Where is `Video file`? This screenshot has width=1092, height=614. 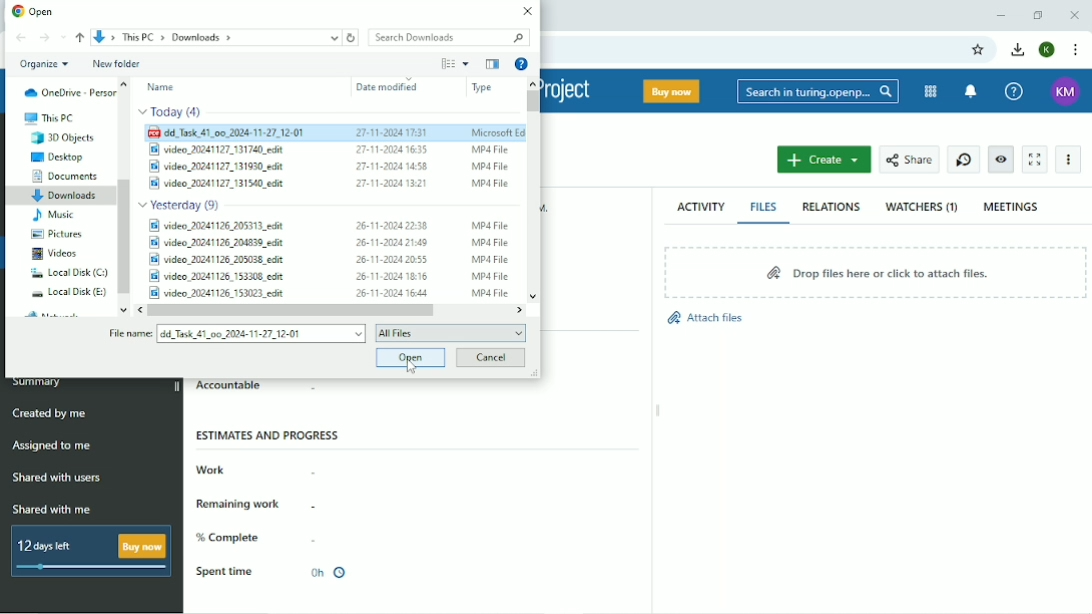 Video file is located at coordinates (328, 277).